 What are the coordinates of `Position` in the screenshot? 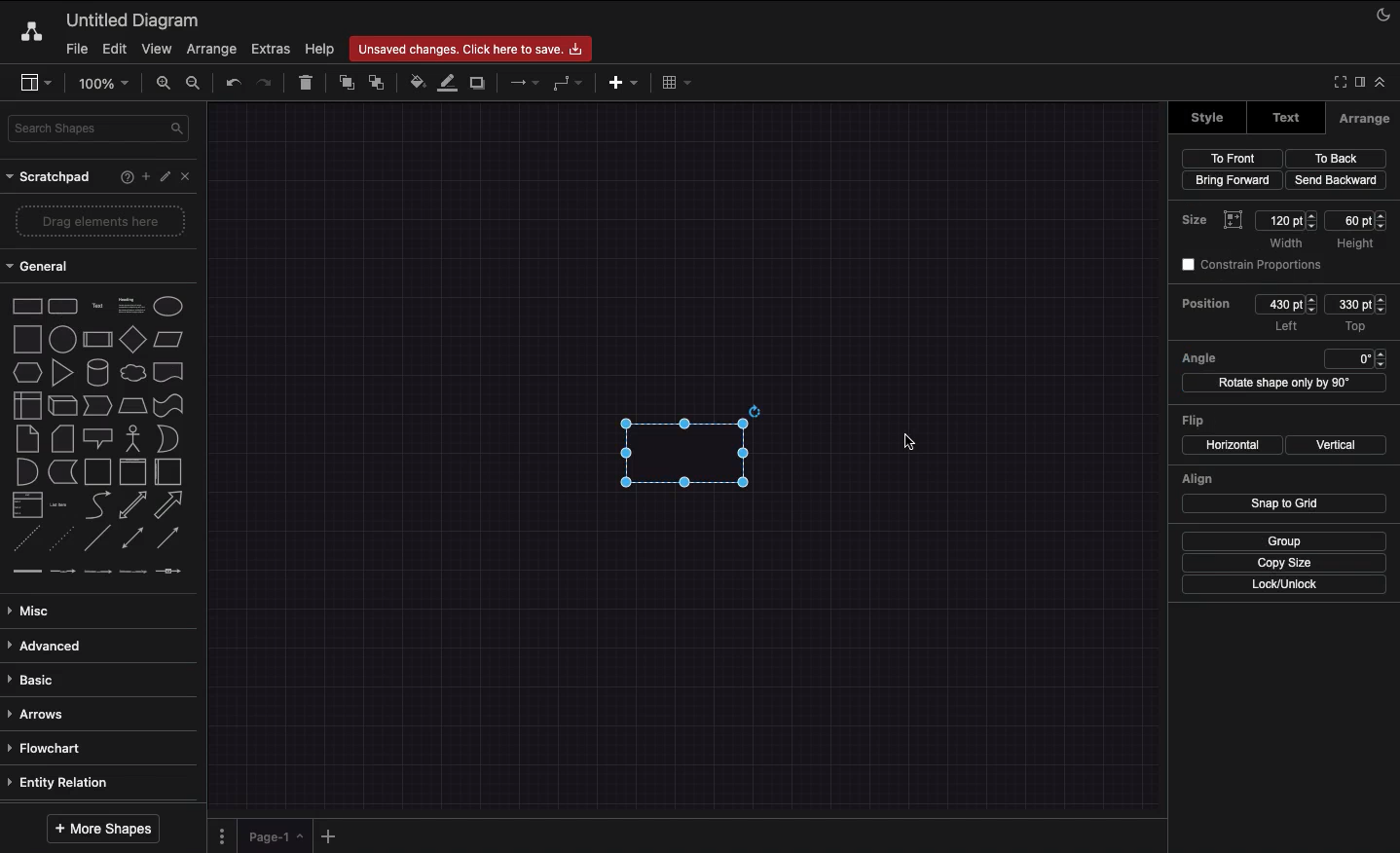 It's located at (1289, 314).